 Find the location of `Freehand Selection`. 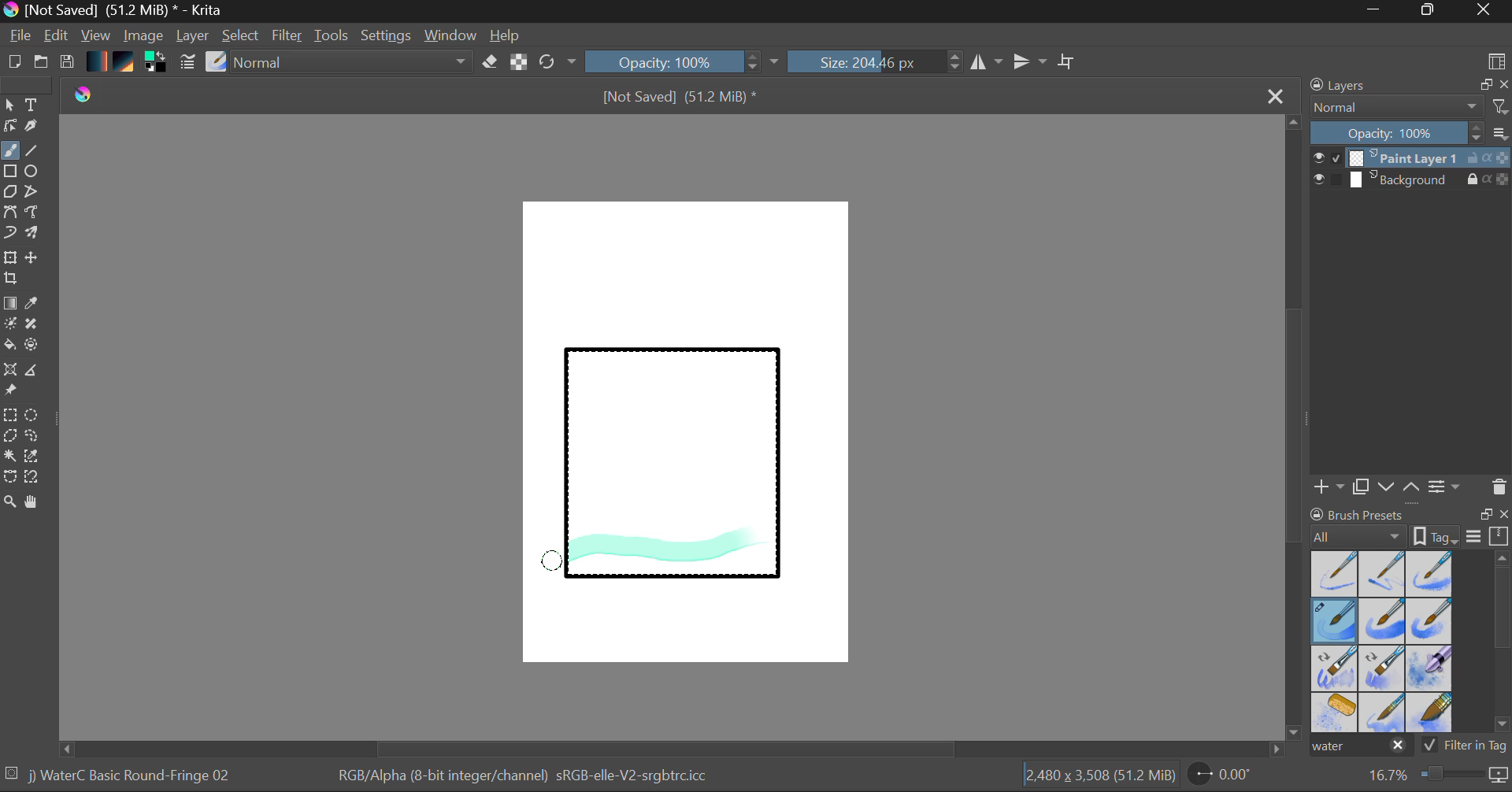

Freehand Selection is located at coordinates (32, 438).